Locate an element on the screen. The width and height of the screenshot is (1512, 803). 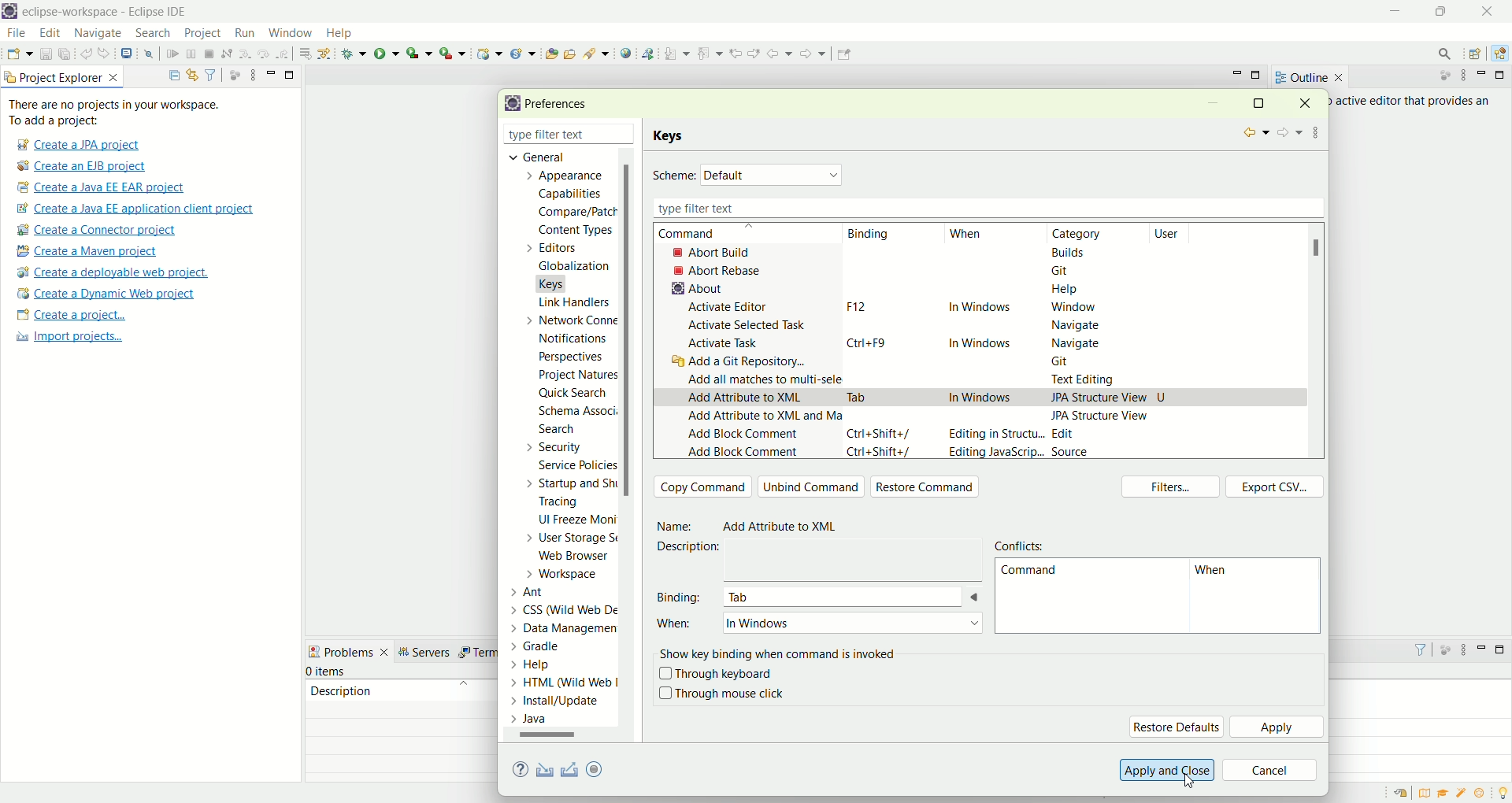
export is located at coordinates (606, 768).